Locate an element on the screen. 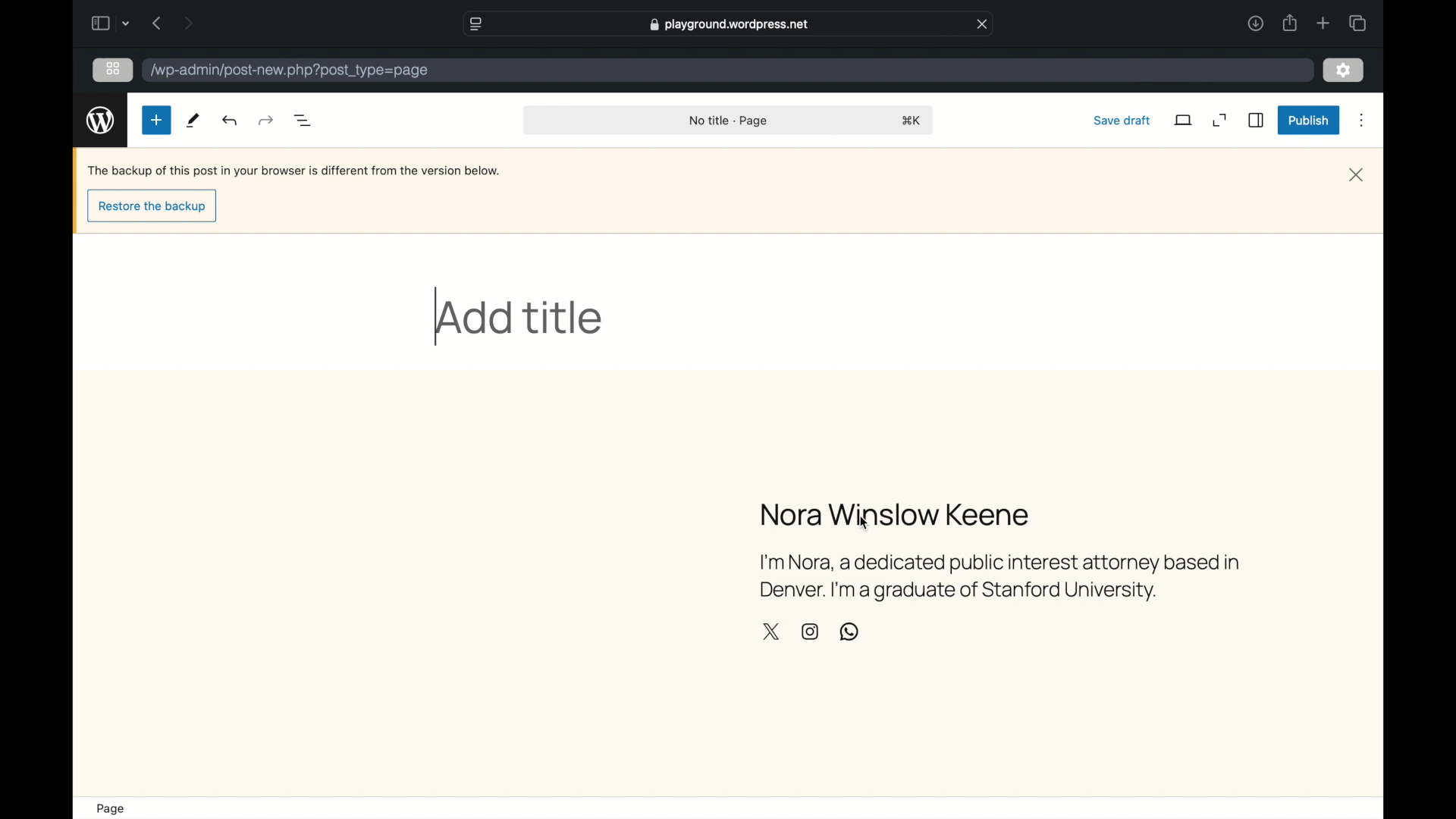  document overview is located at coordinates (303, 120).